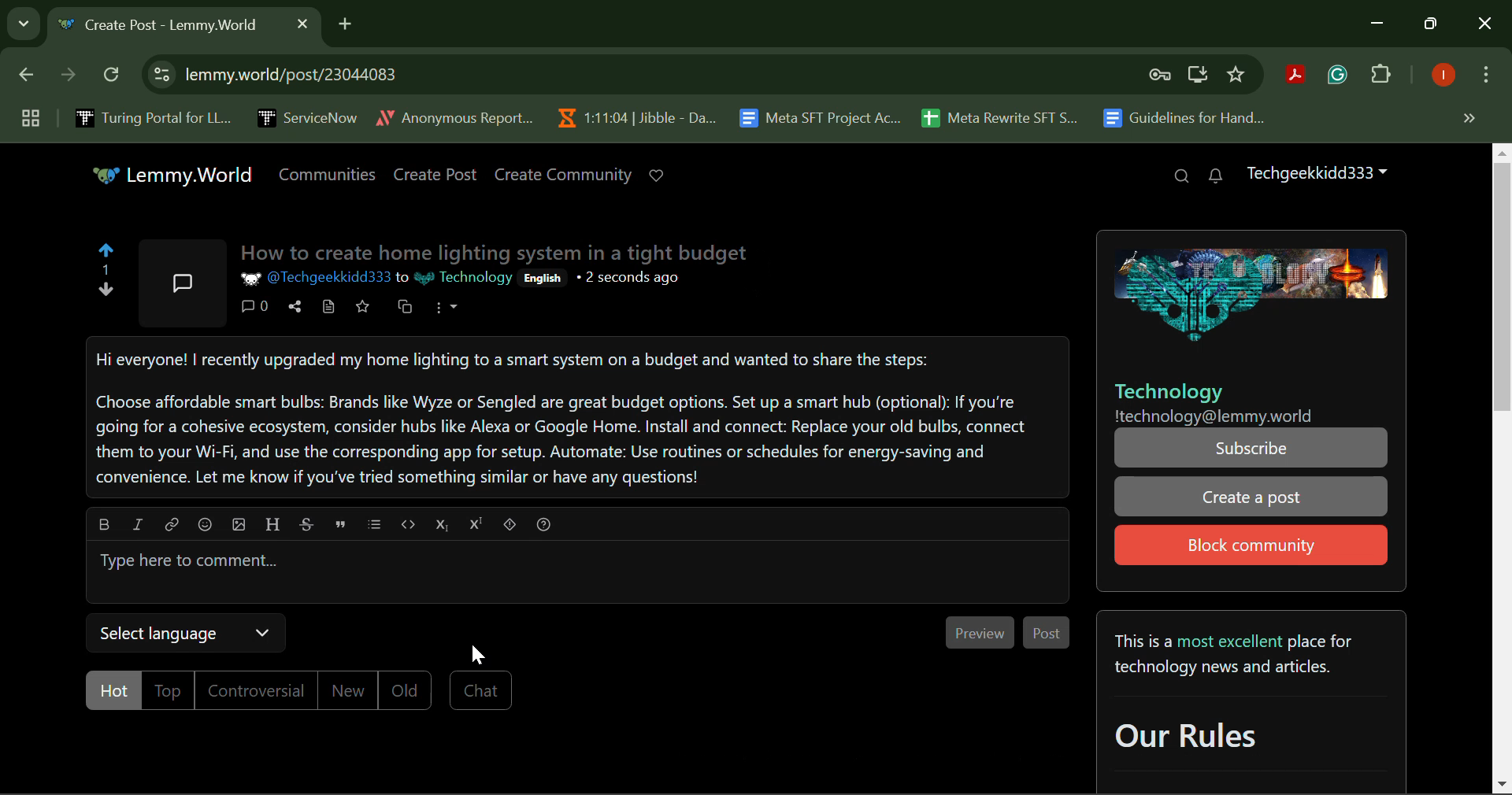  What do you see at coordinates (1440, 76) in the screenshot?
I see `Logged In User` at bounding box center [1440, 76].